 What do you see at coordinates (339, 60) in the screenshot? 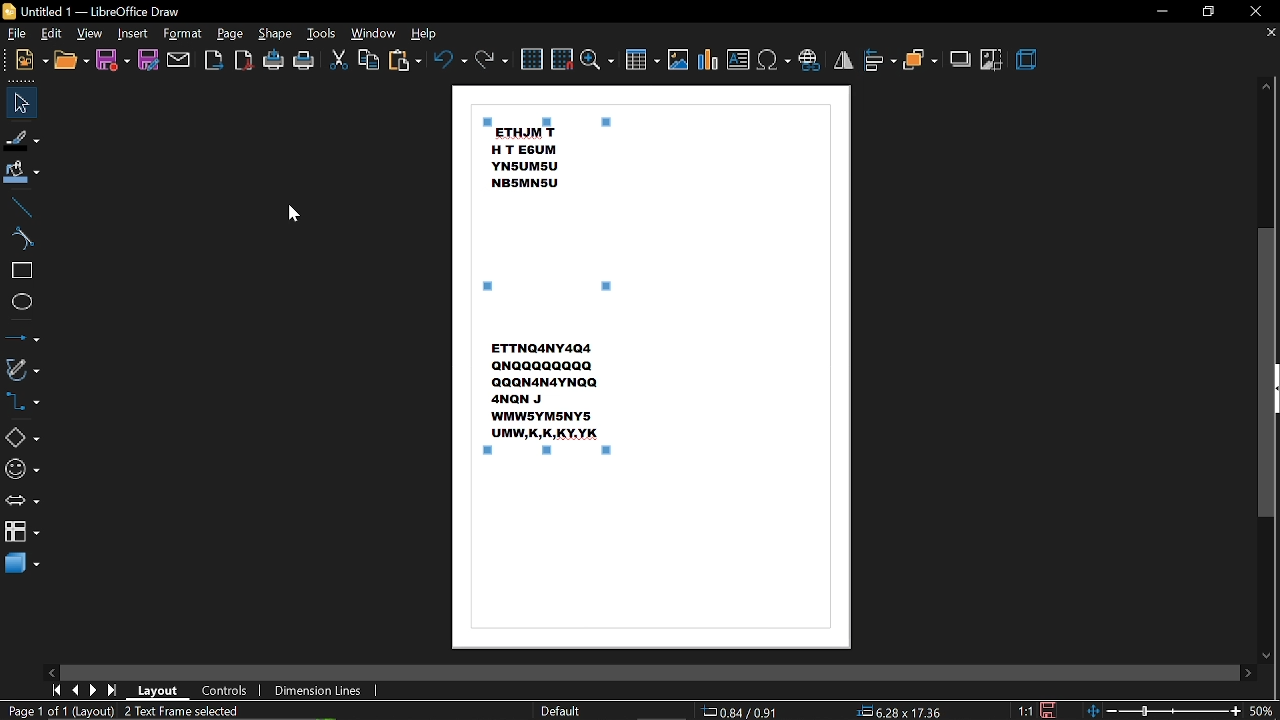
I see `cut ` at bounding box center [339, 60].